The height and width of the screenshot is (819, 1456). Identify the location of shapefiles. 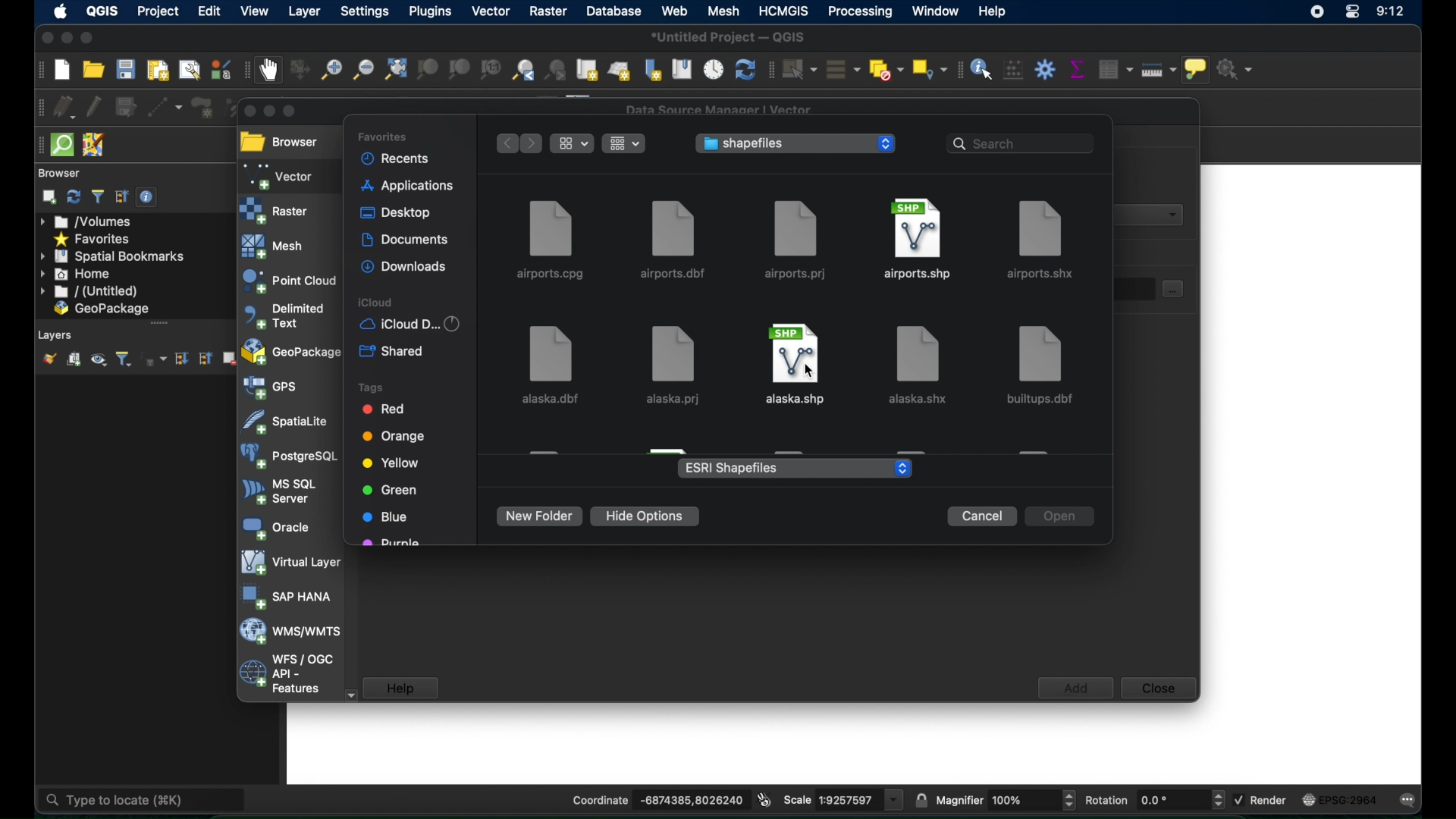
(742, 143).